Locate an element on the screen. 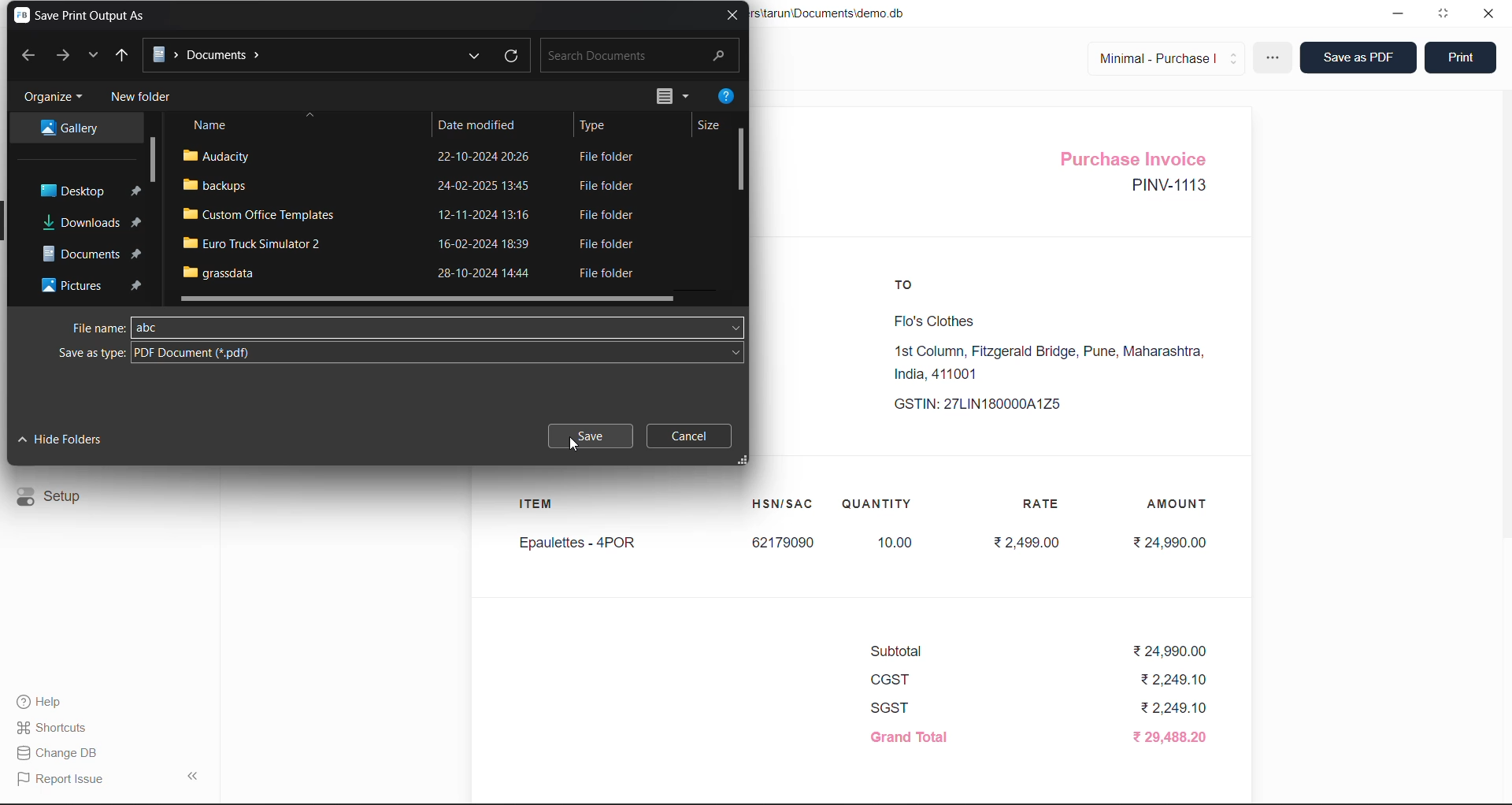 The width and height of the screenshot is (1512, 805). close is located at coordinates (737, 17).